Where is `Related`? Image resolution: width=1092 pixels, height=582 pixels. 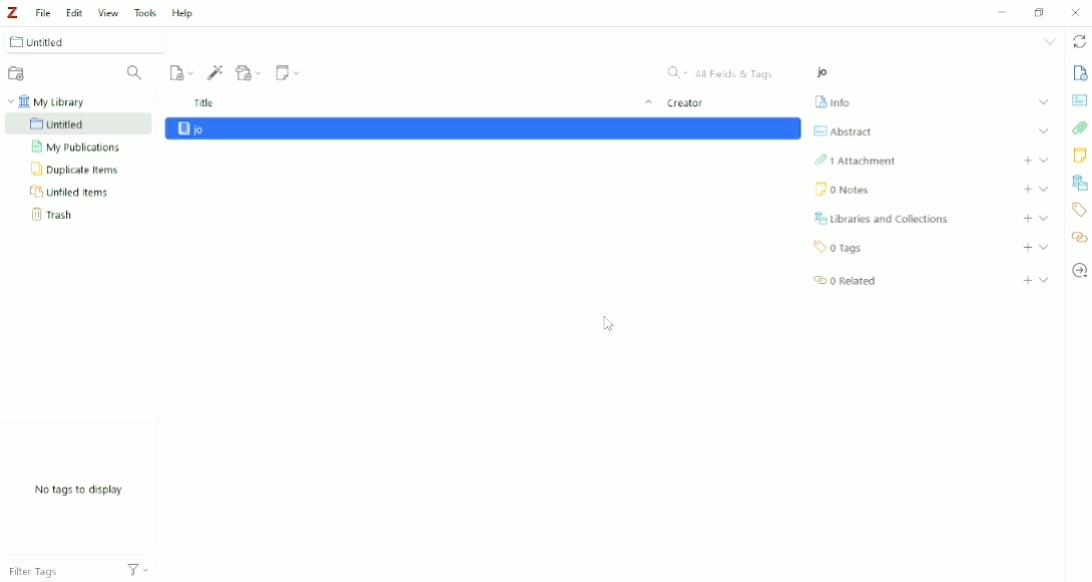 Related is located at coordinates (848, 279).